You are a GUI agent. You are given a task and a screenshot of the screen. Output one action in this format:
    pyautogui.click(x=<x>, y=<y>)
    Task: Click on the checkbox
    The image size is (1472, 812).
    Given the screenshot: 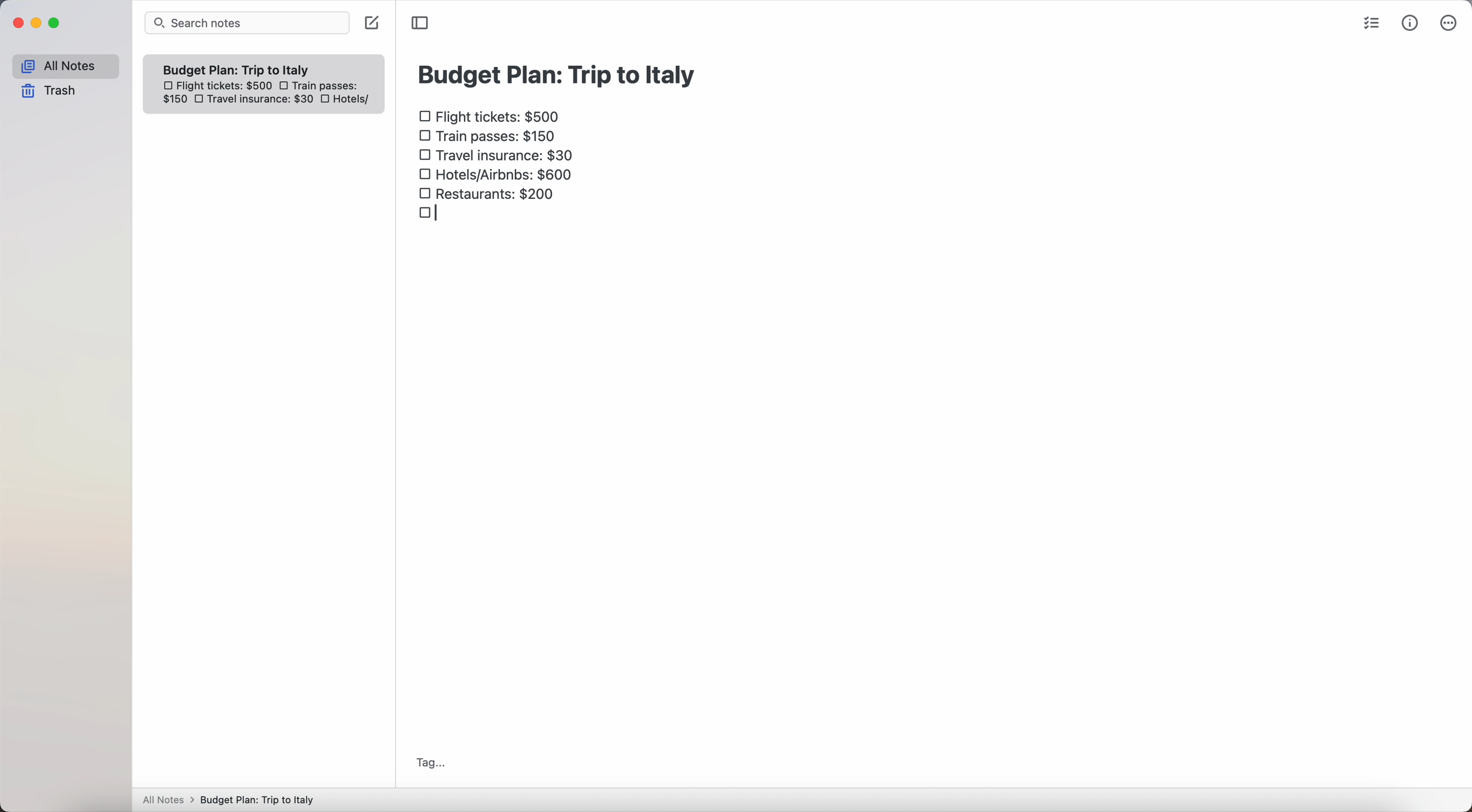 What is the action you would take?
    pyautogui.click(x=329, y=100)
    